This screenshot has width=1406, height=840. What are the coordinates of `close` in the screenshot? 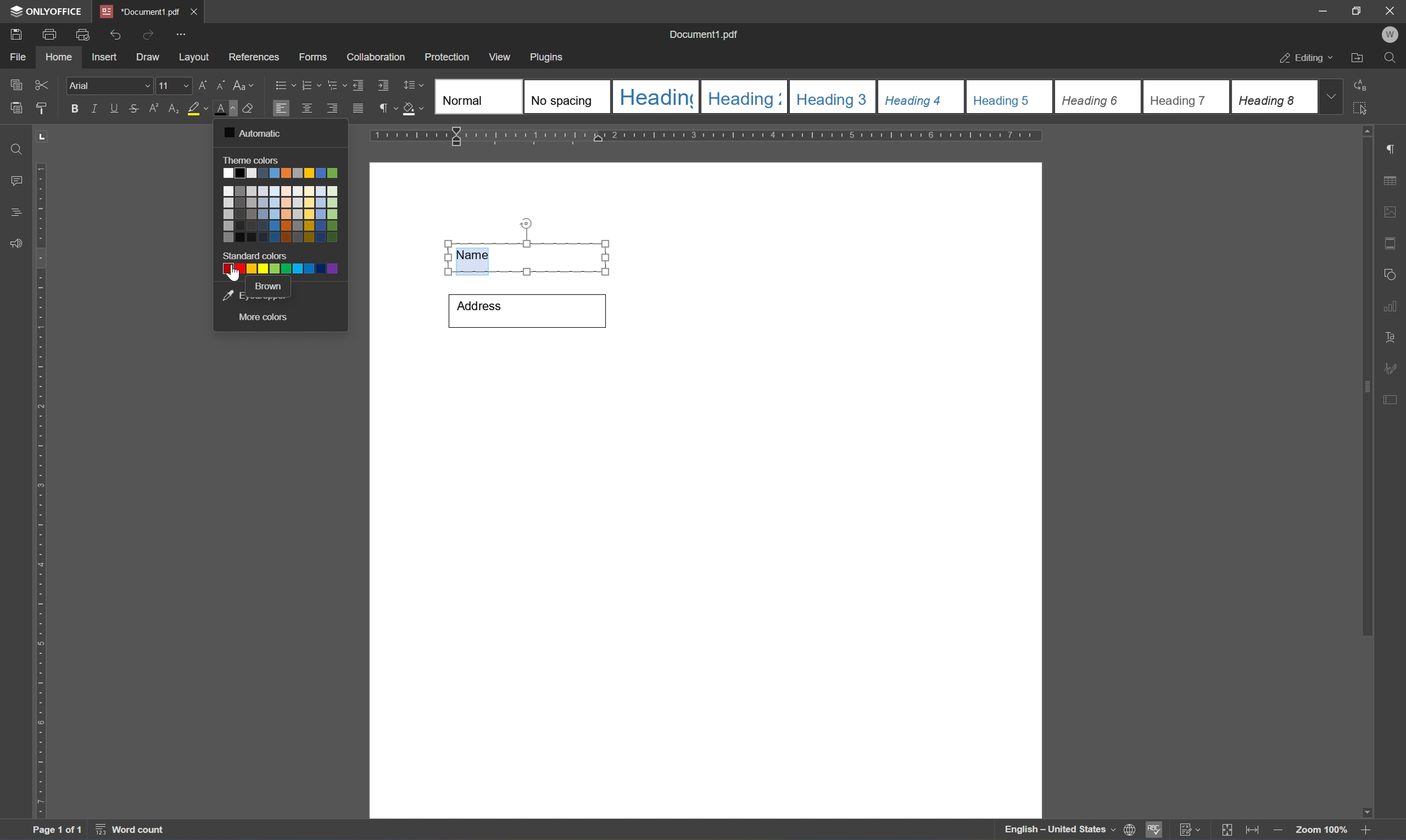 It's located at (196, 9).